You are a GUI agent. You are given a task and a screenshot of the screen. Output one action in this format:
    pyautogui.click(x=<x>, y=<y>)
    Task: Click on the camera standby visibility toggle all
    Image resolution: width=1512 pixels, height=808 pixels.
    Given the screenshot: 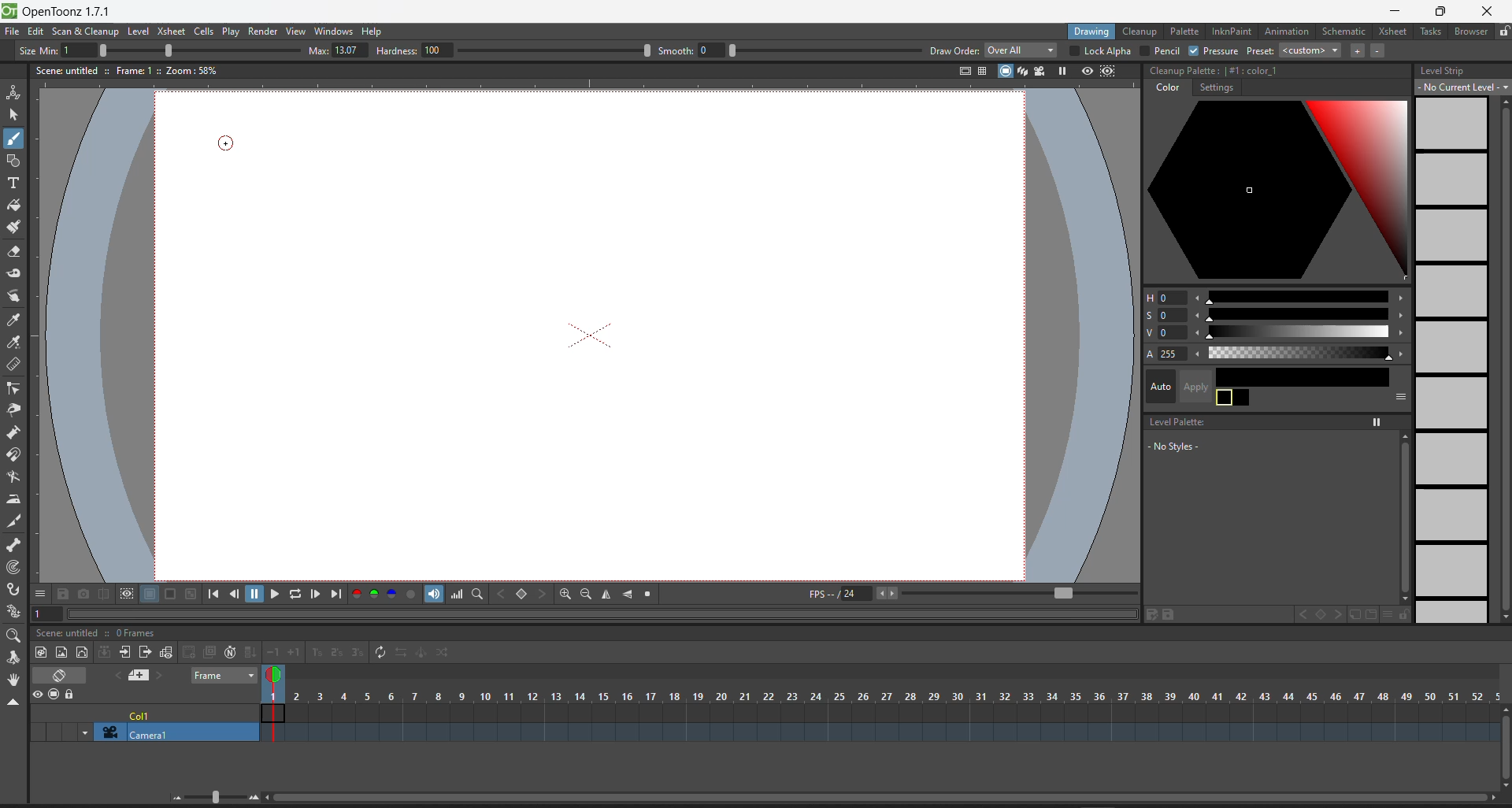 What is the action you would take?
    pyautogui.click(x=55, y=695)
    